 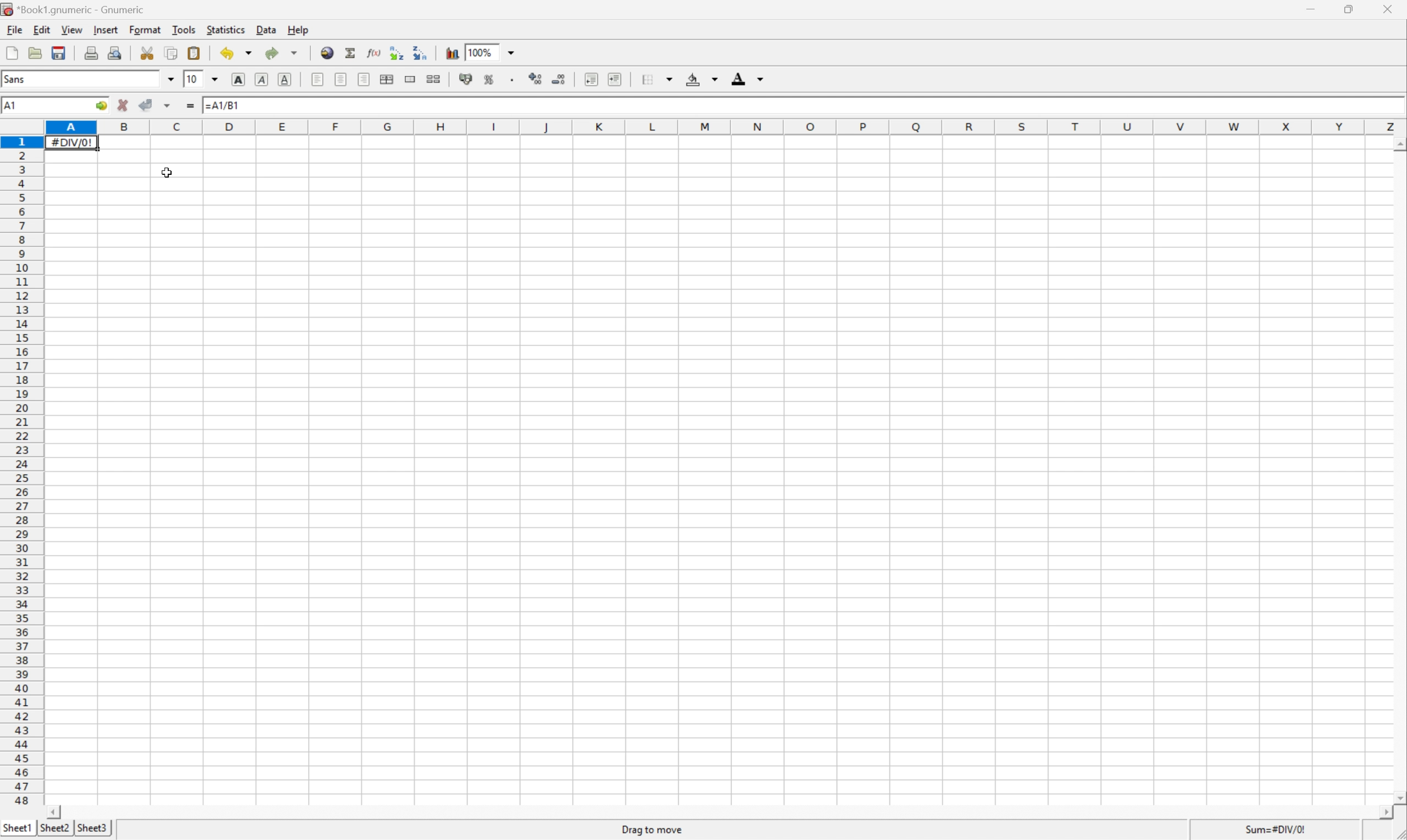 I want to click on Scroll down, so click(x=1396, y=798).